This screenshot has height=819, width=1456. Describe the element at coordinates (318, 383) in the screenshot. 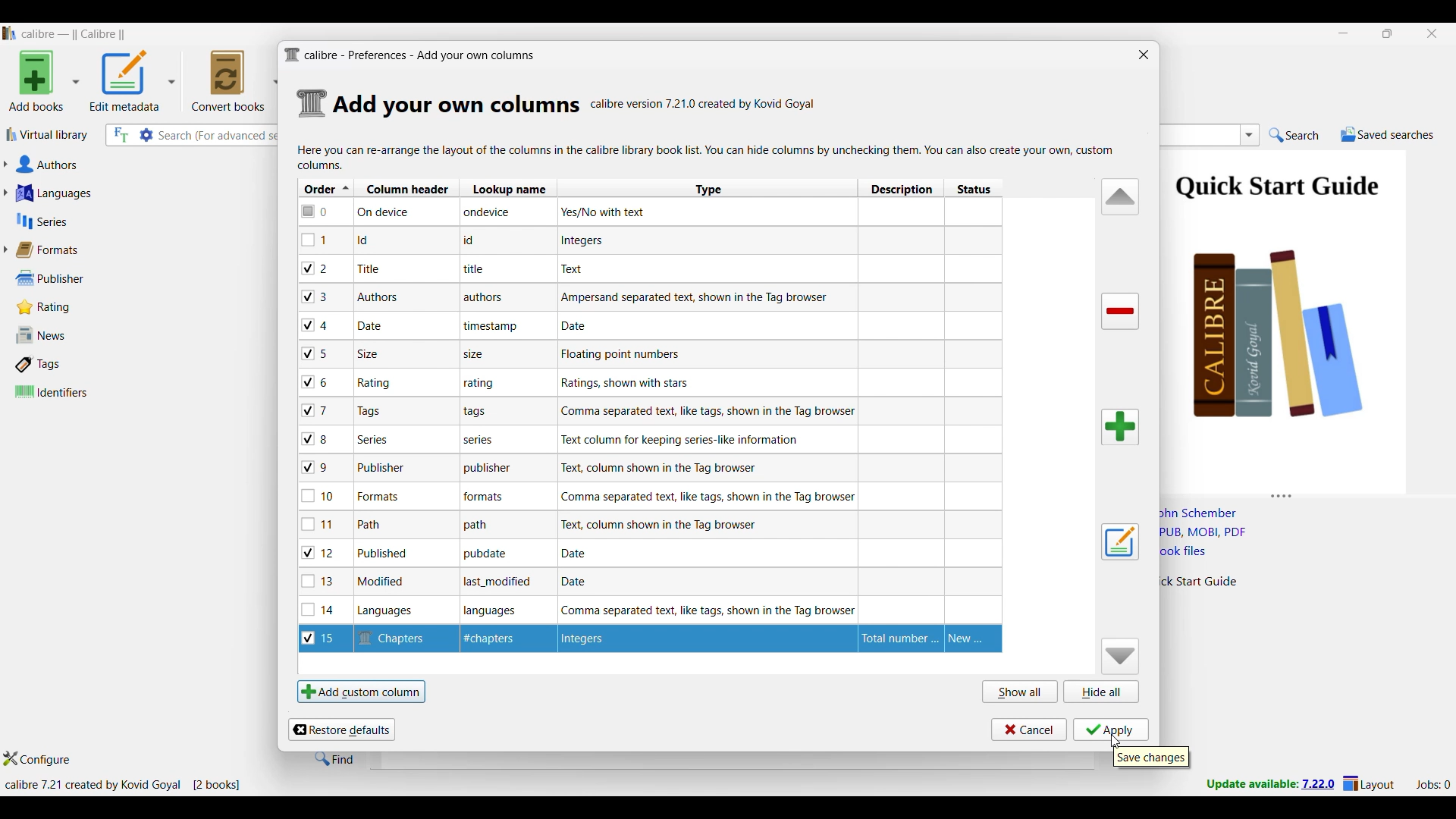

I see `checkbox - 6` at that location.